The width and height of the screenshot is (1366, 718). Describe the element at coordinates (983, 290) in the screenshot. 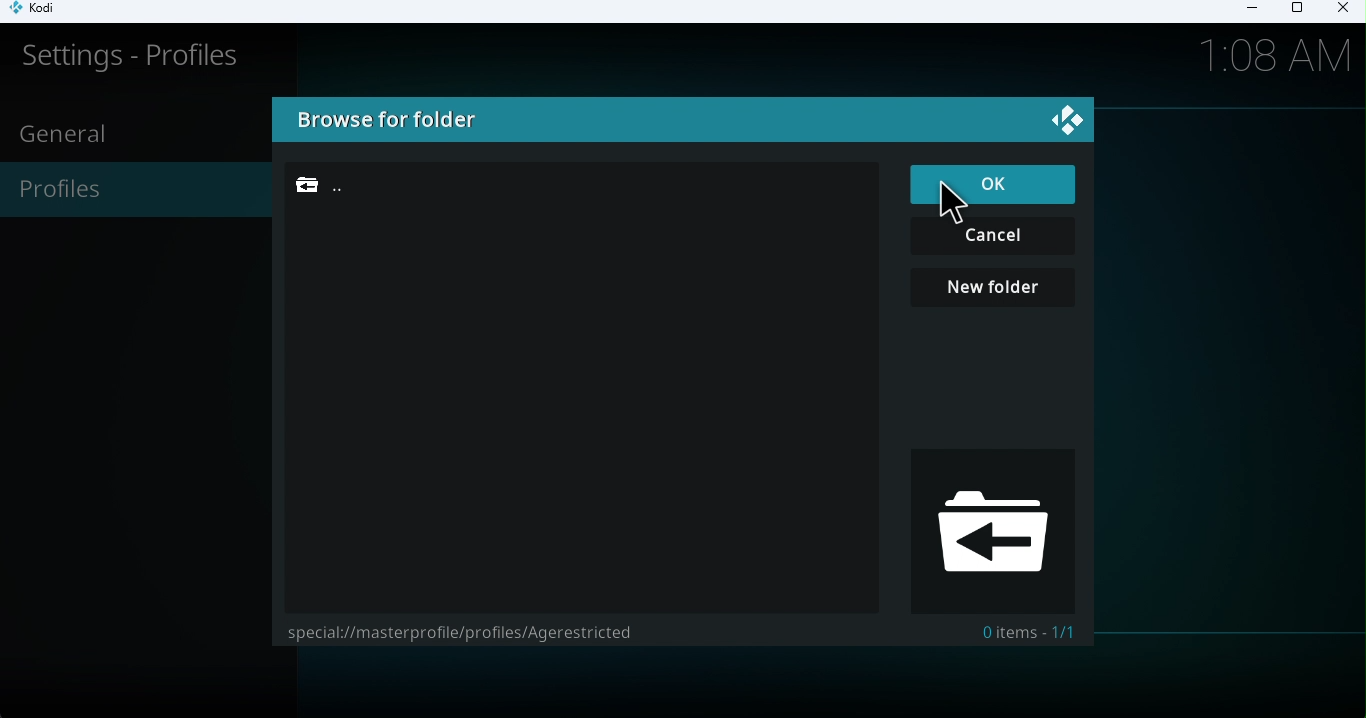

I see `New folder` at that location.